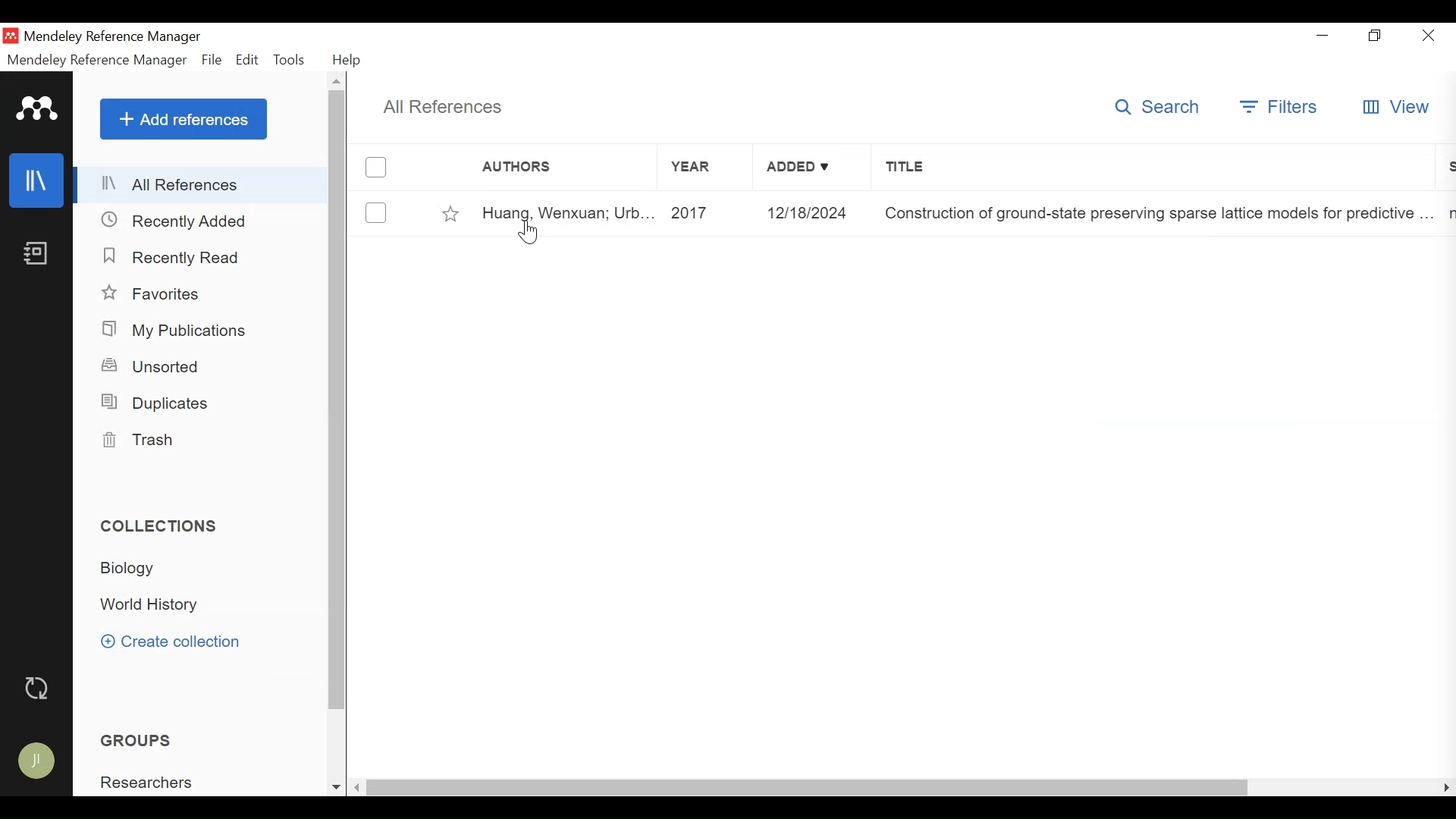 The width and height of the screenshot is (1456, 819). What do you see at coordinates (1442, 789) in the screenshot?
I see `Scroll Right` at bounding box center [1442, 789].